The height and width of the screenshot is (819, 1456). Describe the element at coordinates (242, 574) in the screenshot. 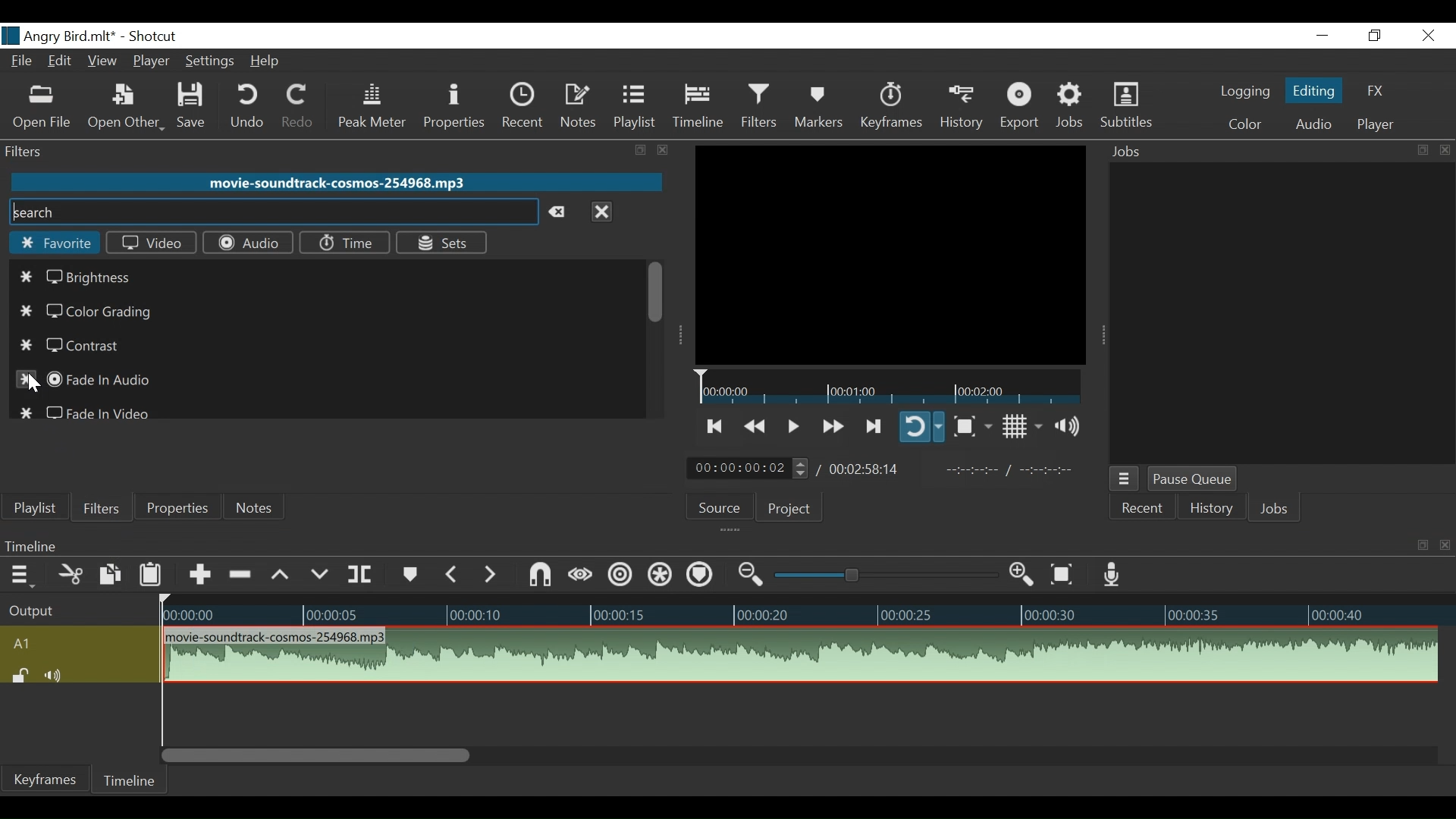

I see `Ripple Delete` at that location.